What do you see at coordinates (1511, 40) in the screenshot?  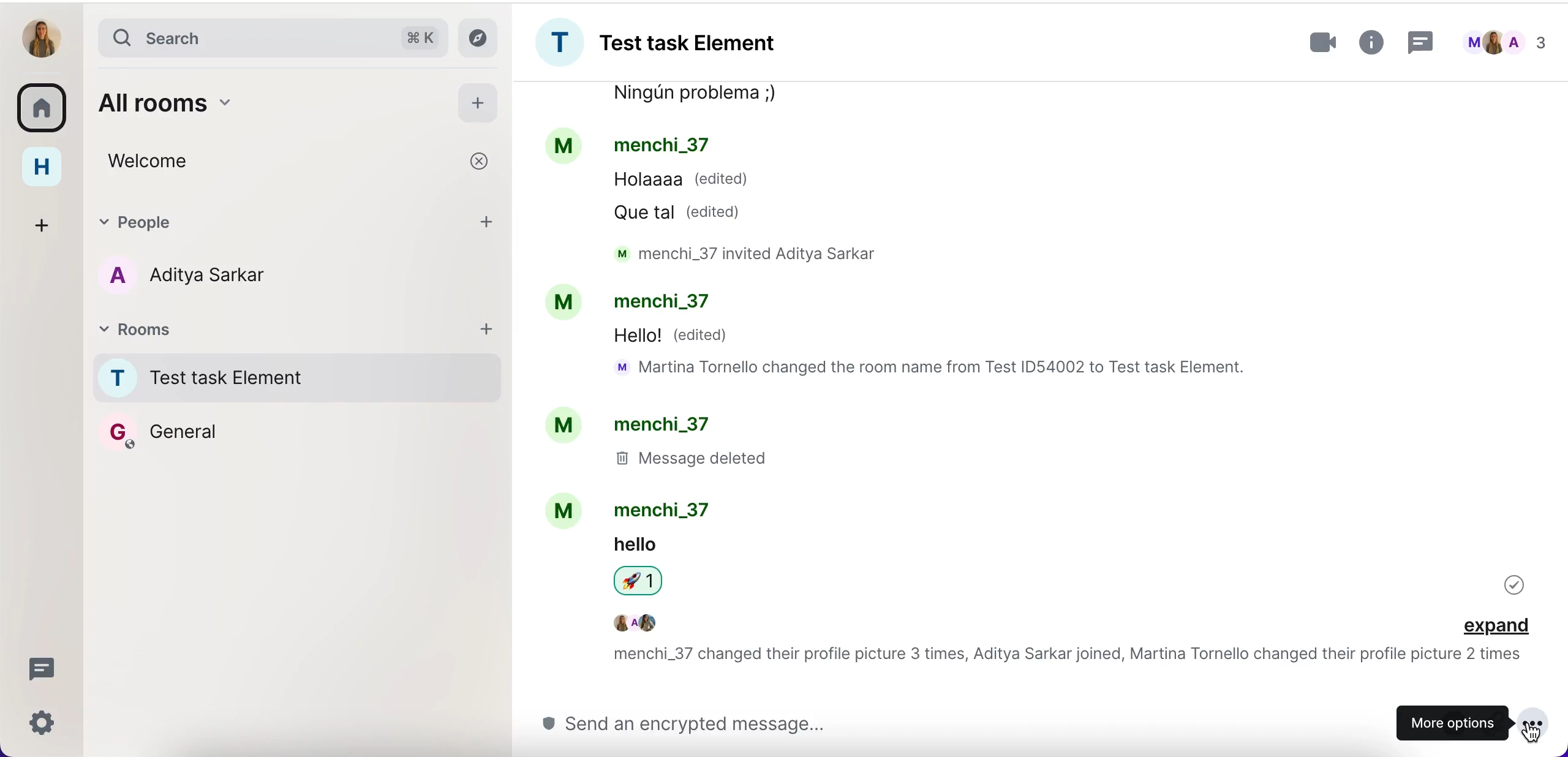 I see `chats` at bounding box center [1511, 40].